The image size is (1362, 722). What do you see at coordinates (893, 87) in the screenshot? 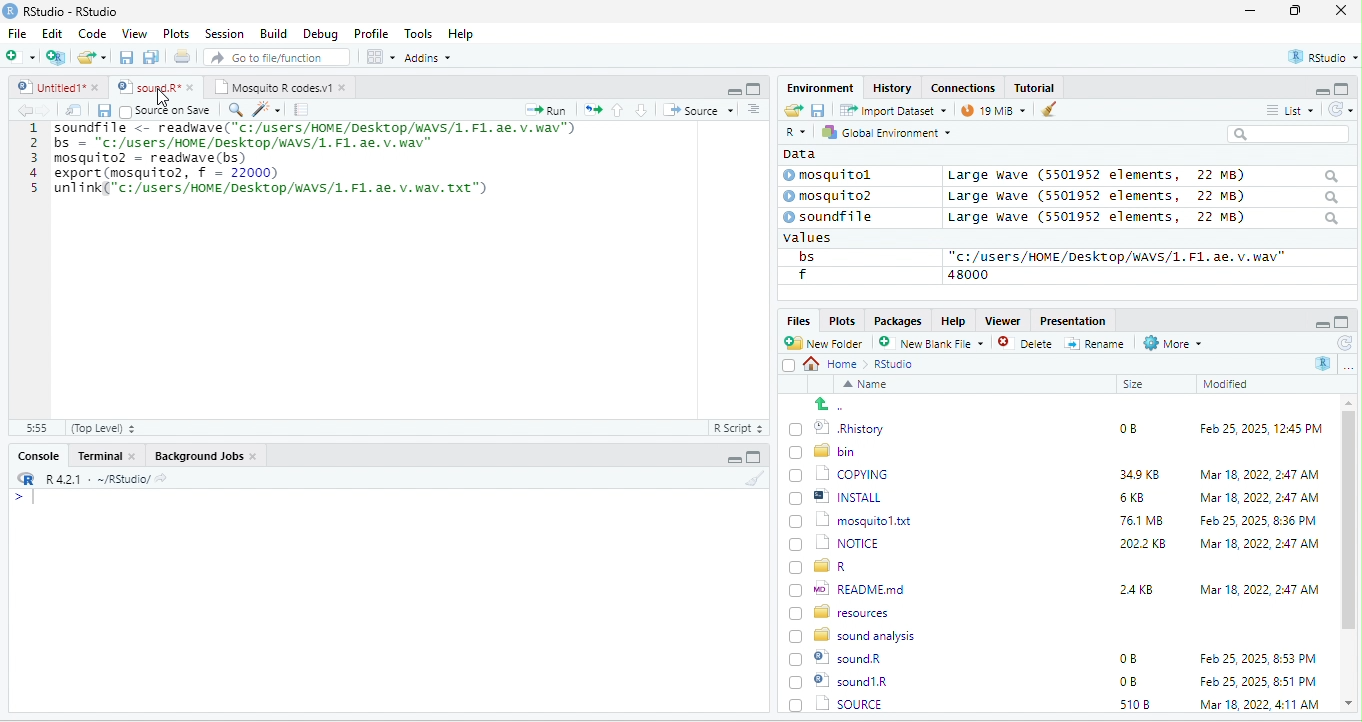
I see `History` at bounding box center [893, 87].